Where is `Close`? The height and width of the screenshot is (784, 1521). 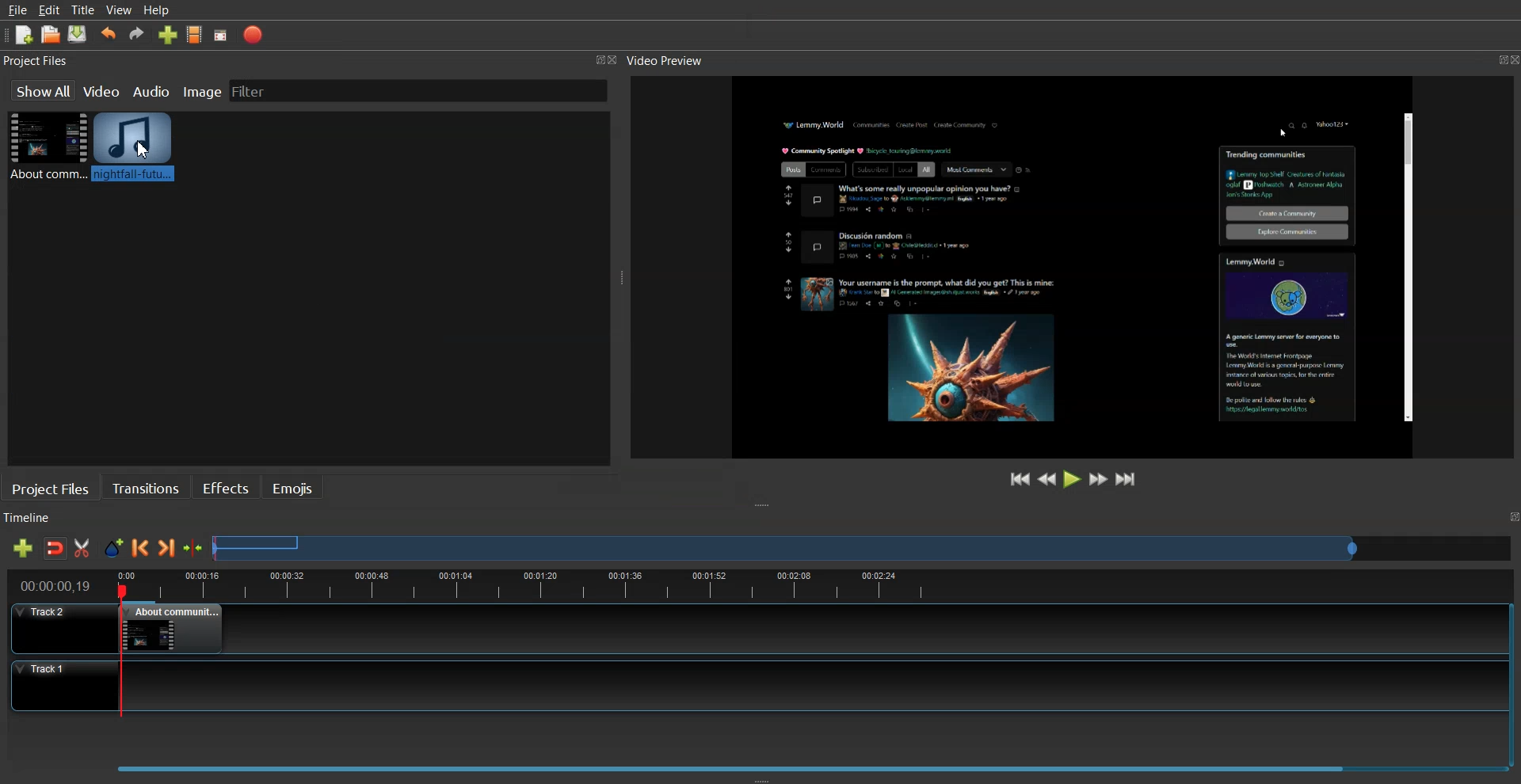 Close is located at coordinates (617, 61).